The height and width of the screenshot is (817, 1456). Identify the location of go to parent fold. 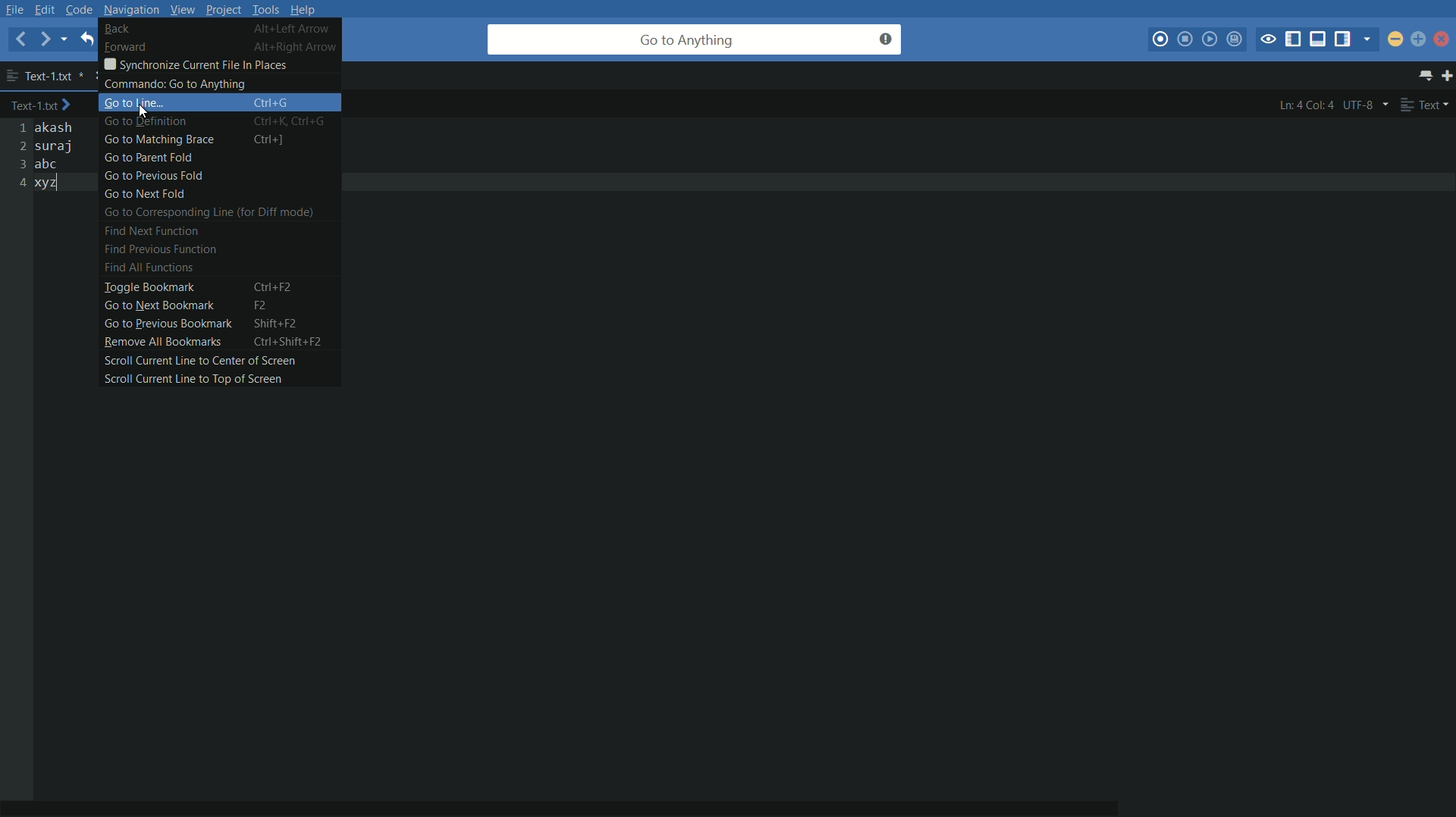
(151, 159).